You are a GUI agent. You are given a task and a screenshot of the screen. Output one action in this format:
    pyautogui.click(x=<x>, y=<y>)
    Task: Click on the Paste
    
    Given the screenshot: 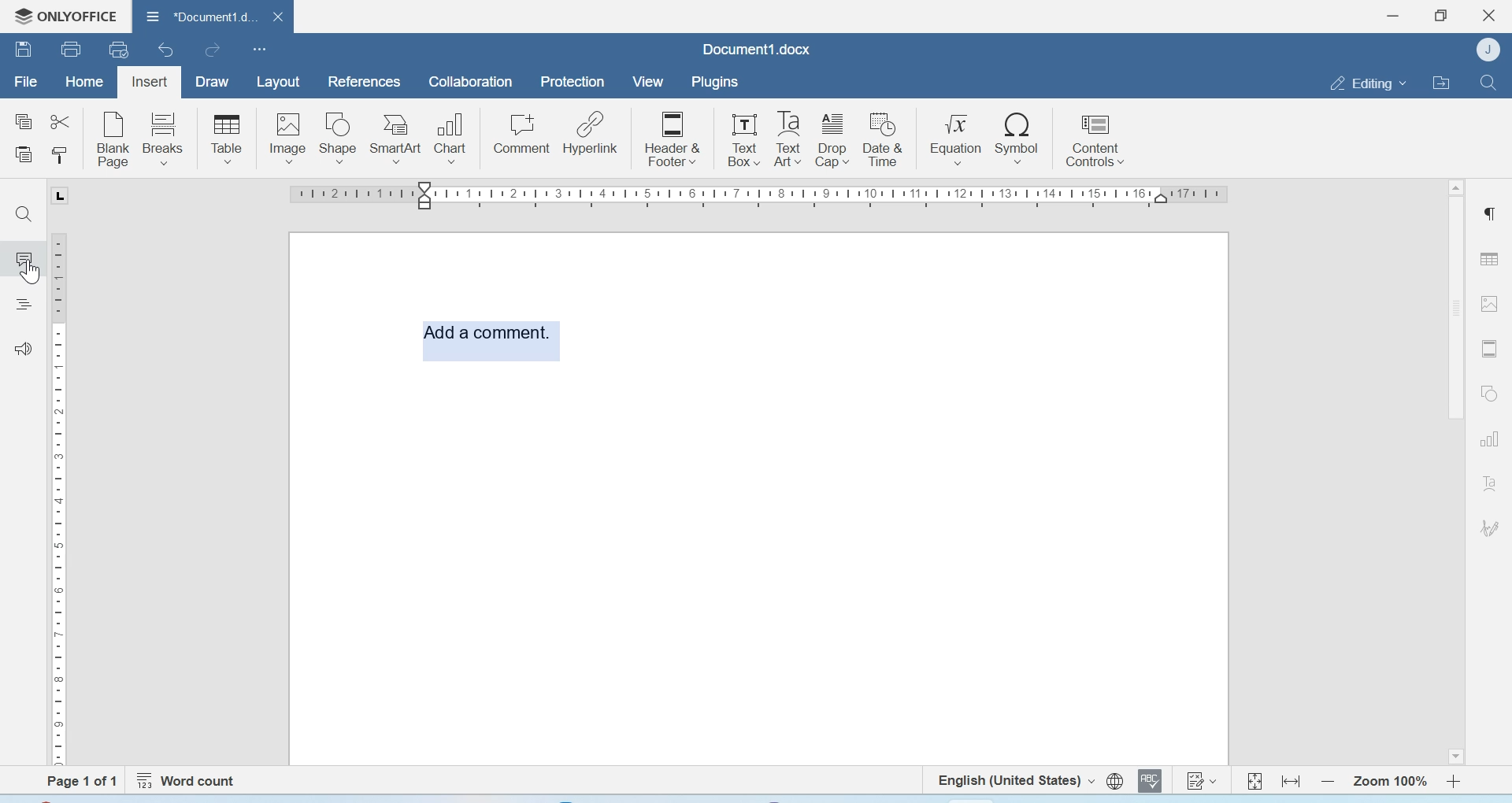 What is the action you would take?
    pyautogui.click(x=25, y=156)
    